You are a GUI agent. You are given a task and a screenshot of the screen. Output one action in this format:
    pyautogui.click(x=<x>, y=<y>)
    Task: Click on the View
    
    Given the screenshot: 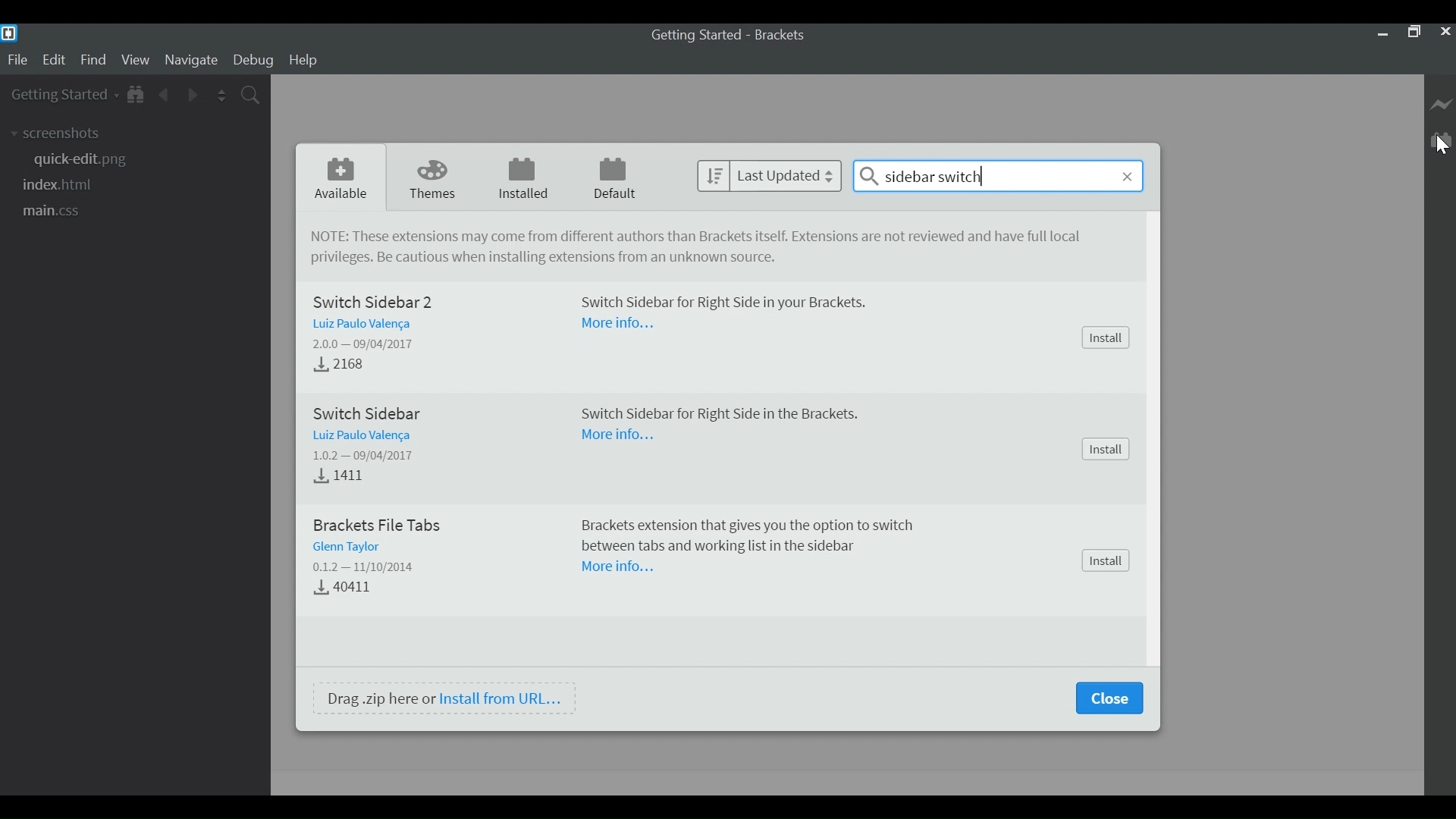 What is the action you would take?
    pyautogui.click(x=135, y=61)
    